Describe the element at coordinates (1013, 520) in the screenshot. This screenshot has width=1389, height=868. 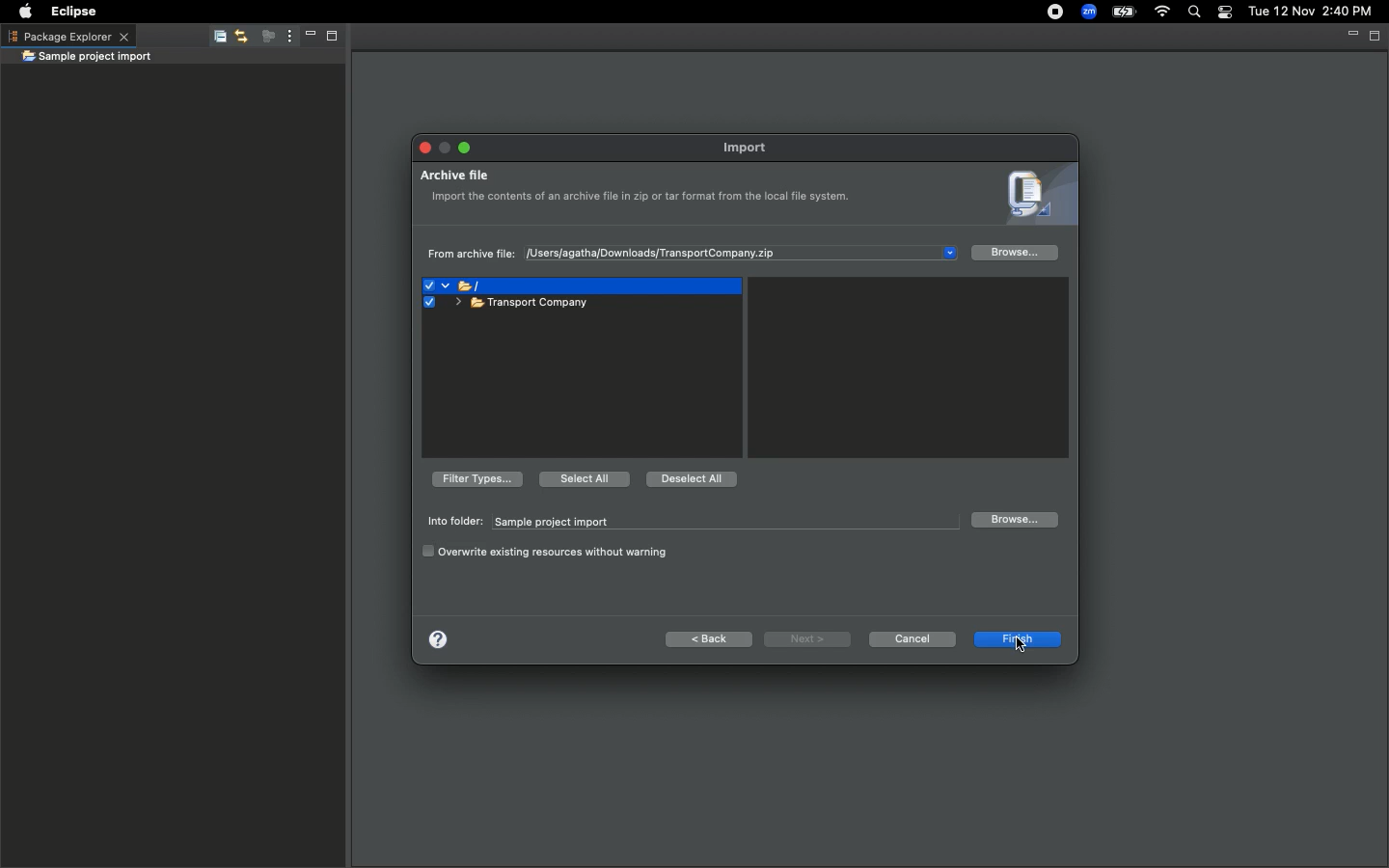
I see `Browse` at that location.